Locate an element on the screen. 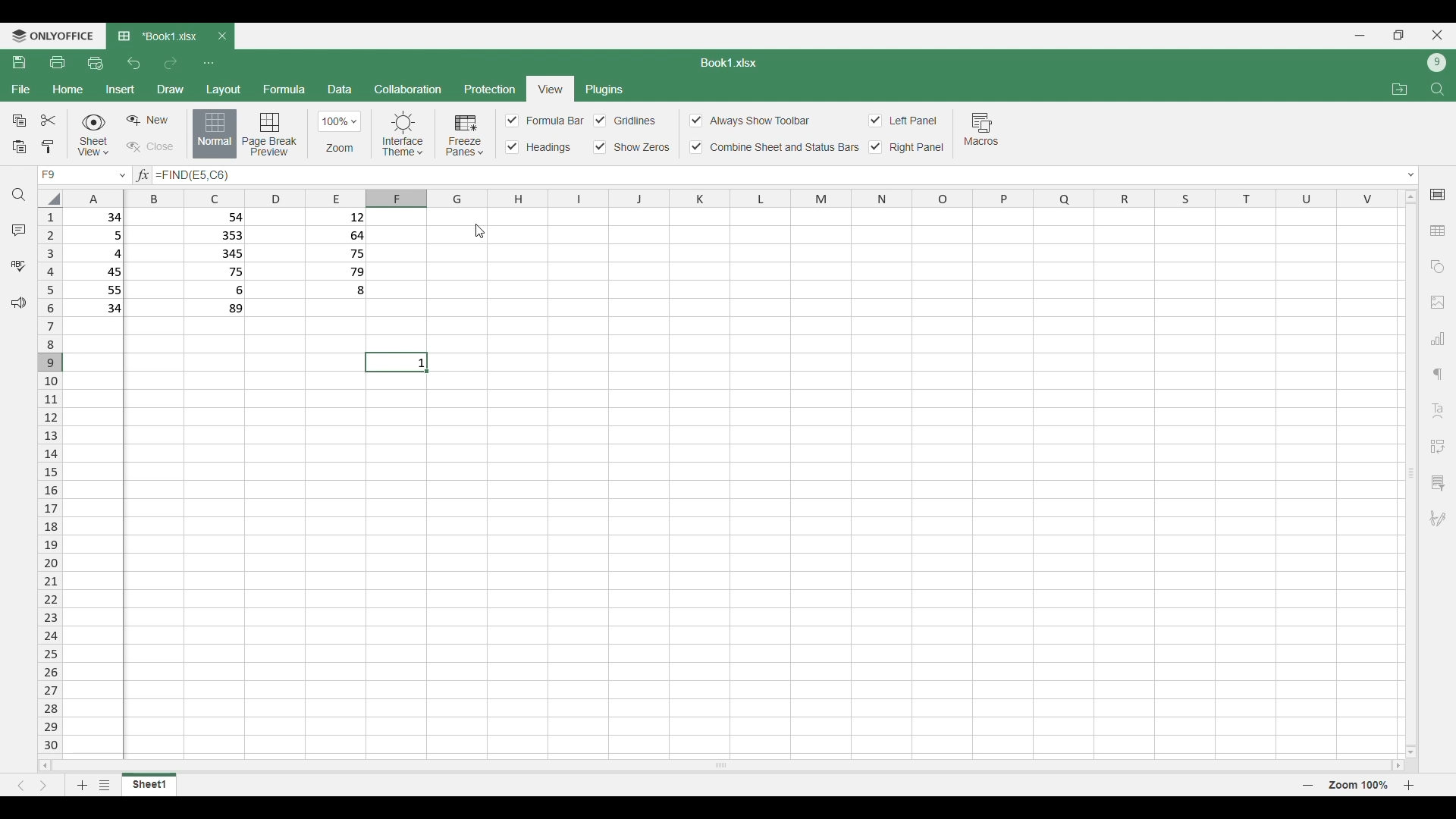 Image resolution: width=1456 pixels, height=819 pixels. Expand/Collapse is located at coordinates (1411, 175).